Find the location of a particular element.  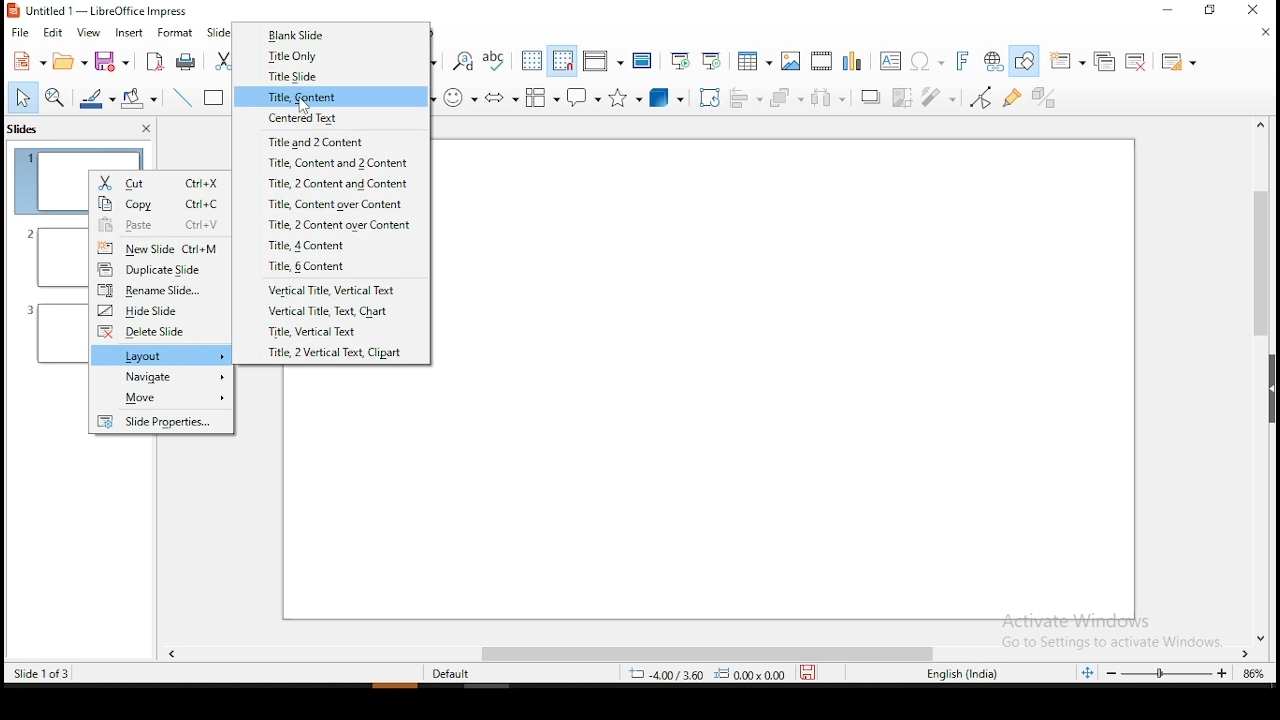

insert image is located at coordinates (789, 62).